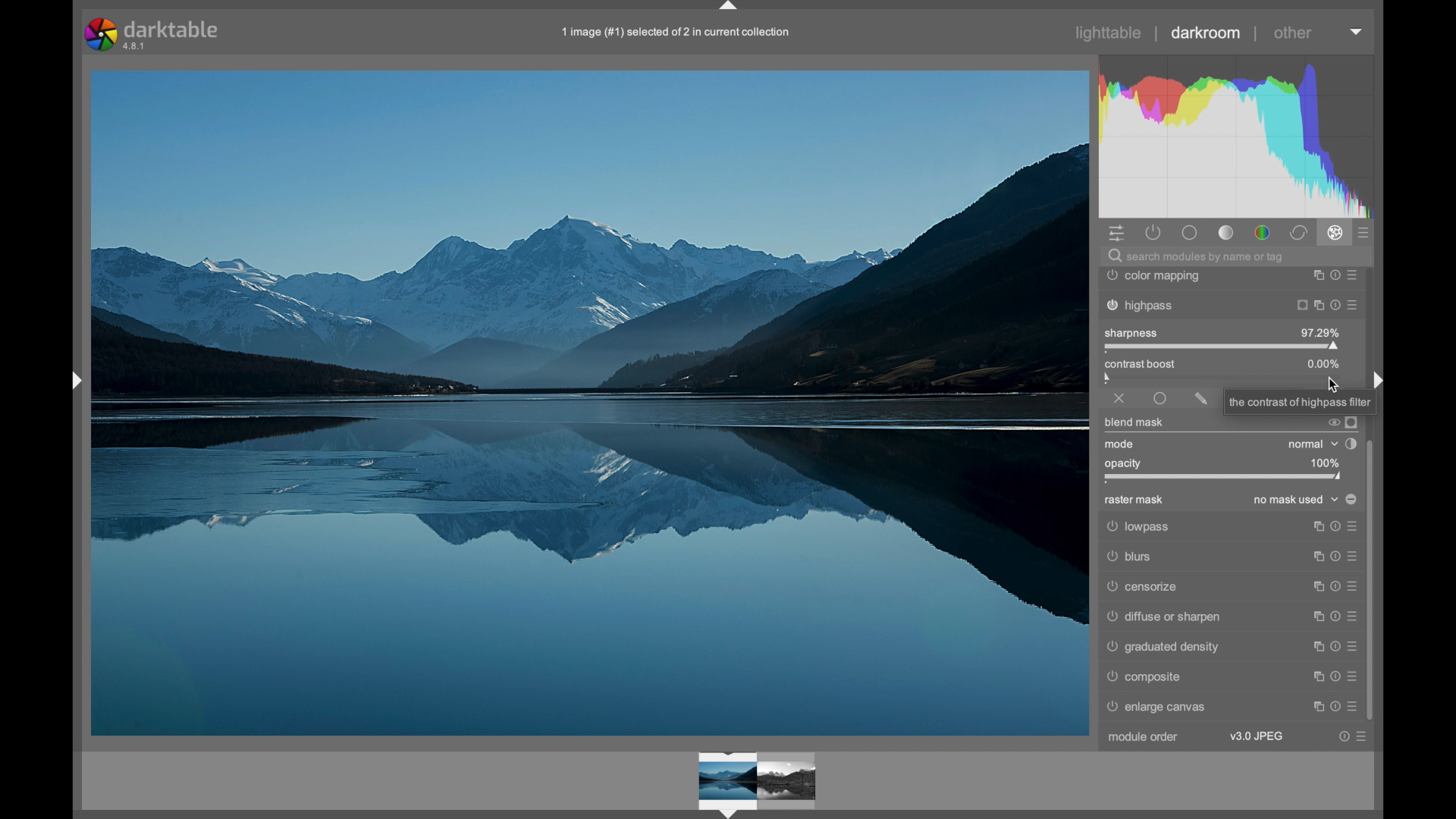 Image resolution: width=1456 pixels, height=819 pixels. Describe the element at coordinates (1298, 234) in the screenshot. I see `correct` at that location.